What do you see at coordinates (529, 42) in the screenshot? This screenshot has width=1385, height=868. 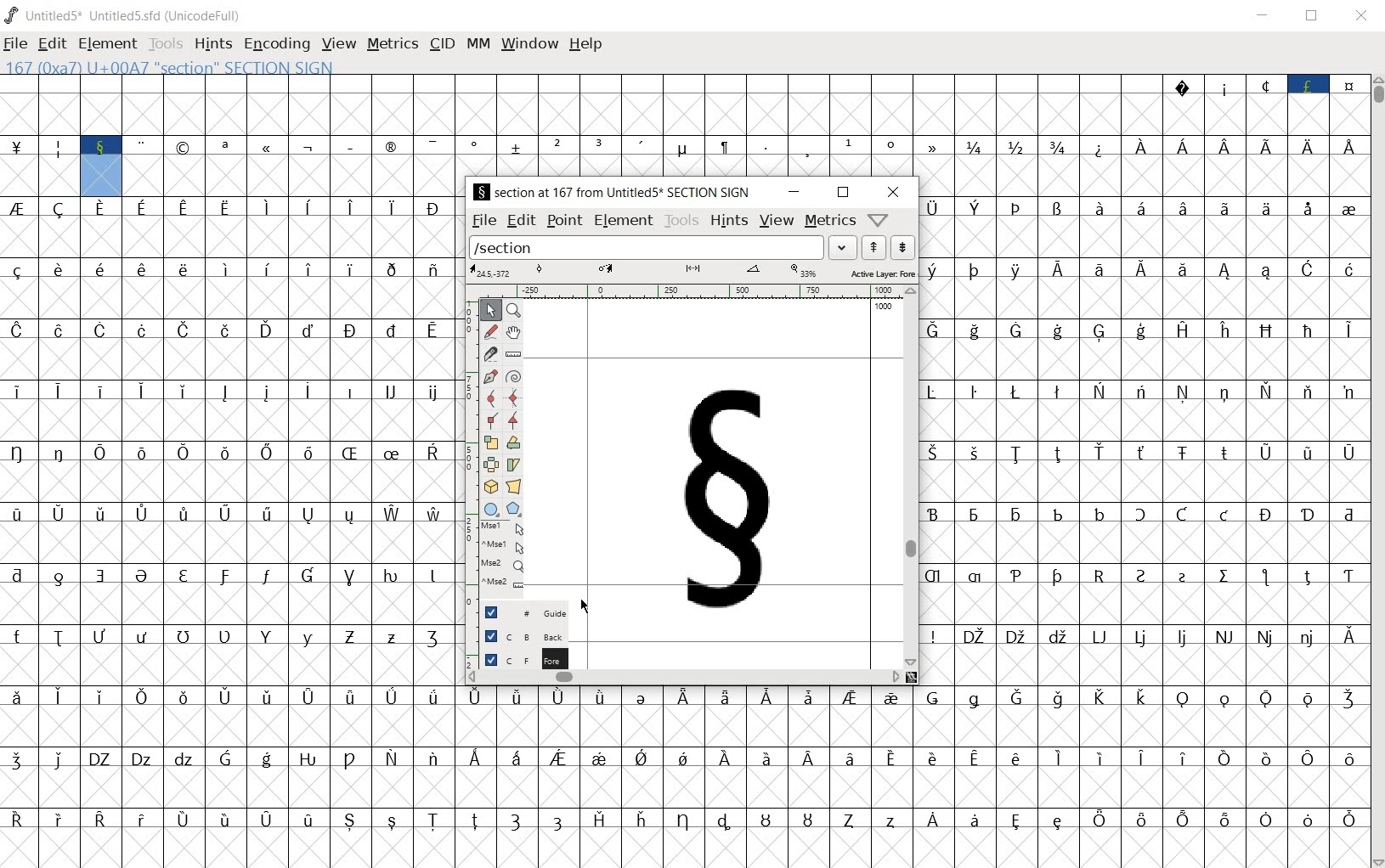 I see `window` at bounding box center [529, 42].